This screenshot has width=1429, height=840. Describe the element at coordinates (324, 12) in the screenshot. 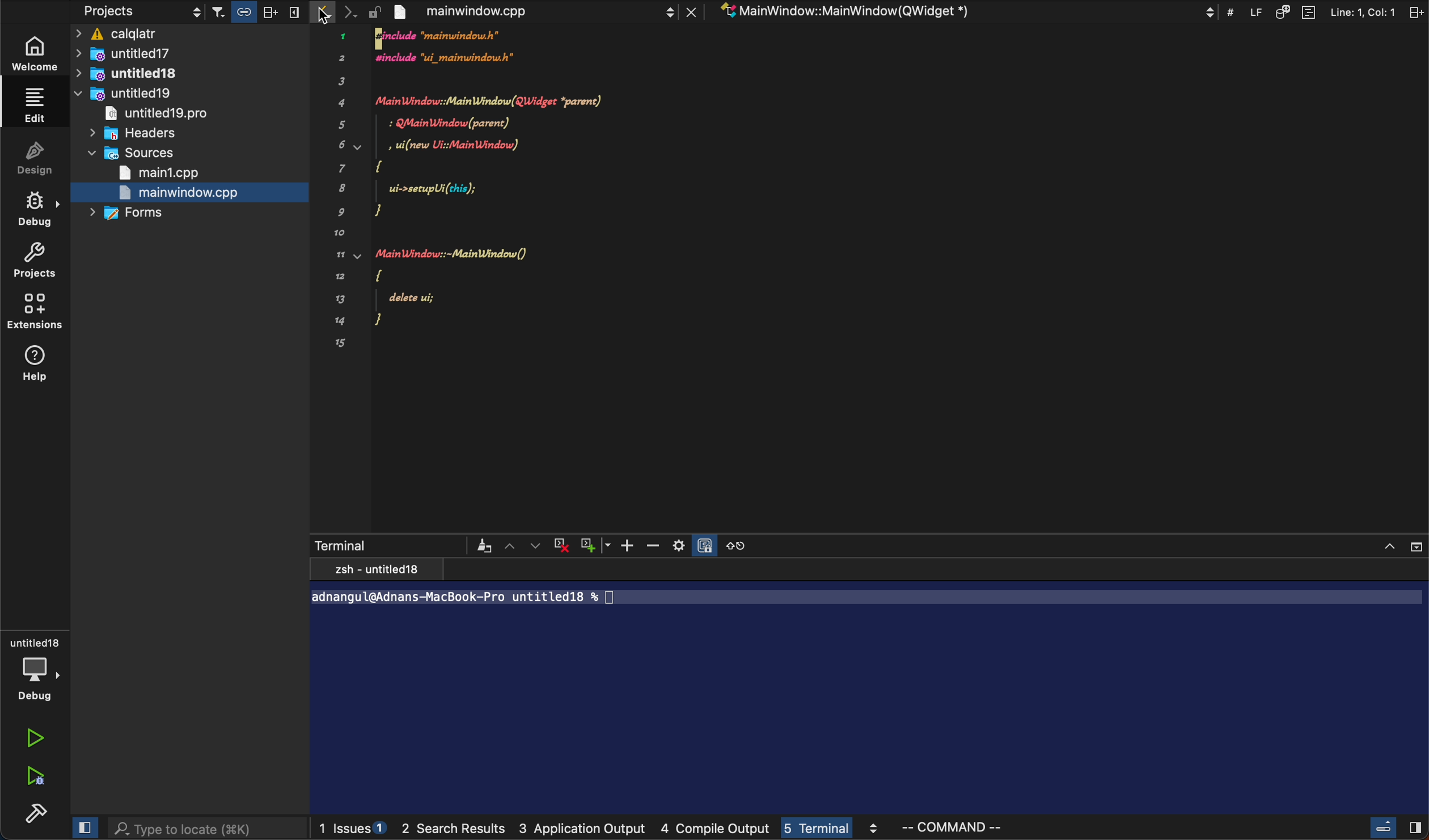

I see ` backward arrows` at that location.